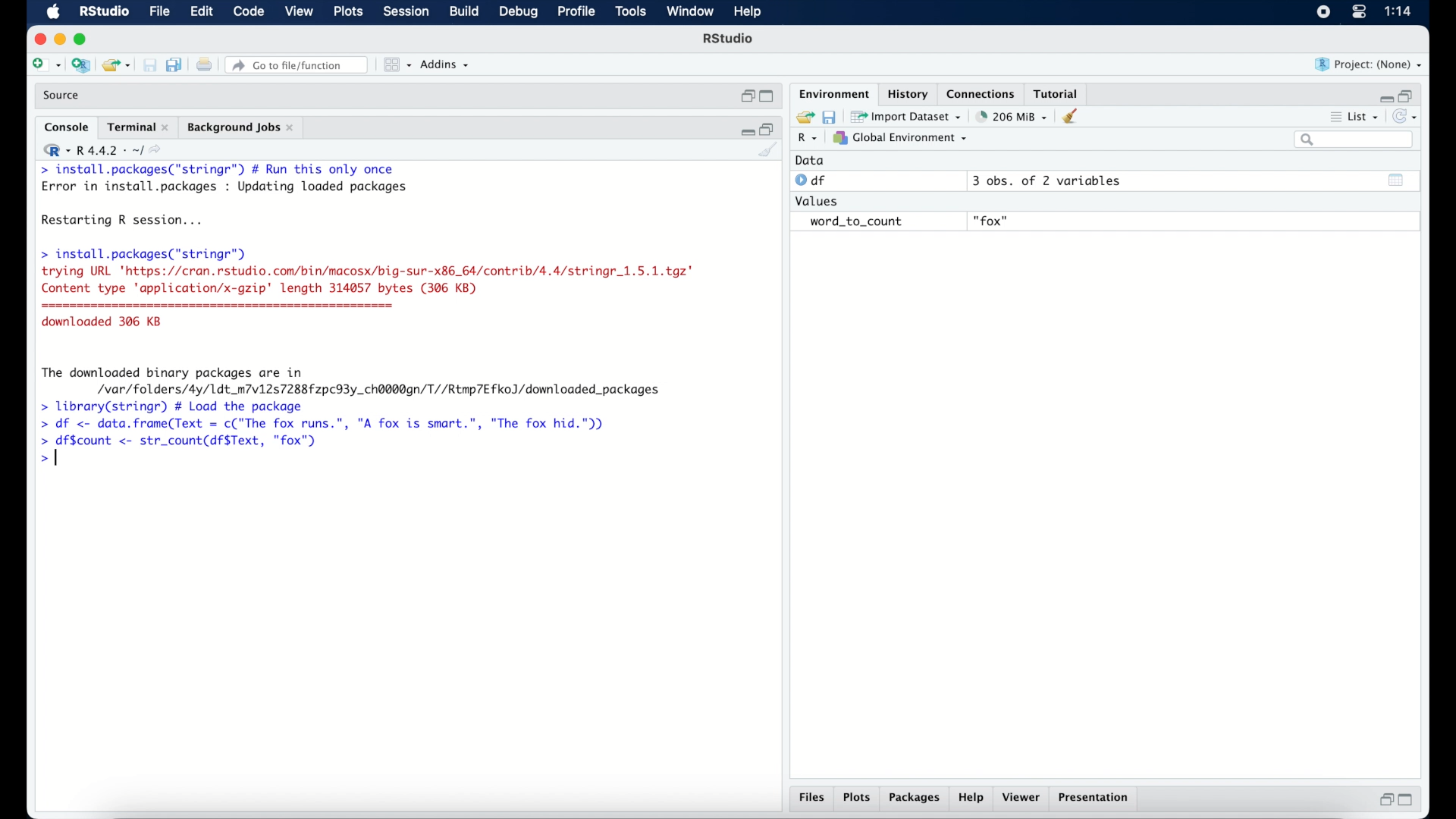 This screenshot has height=819, width=1456. What do you see at coordinates (519, 13) in the screenshot?
I see `debug` at bounding box center [519, 13].